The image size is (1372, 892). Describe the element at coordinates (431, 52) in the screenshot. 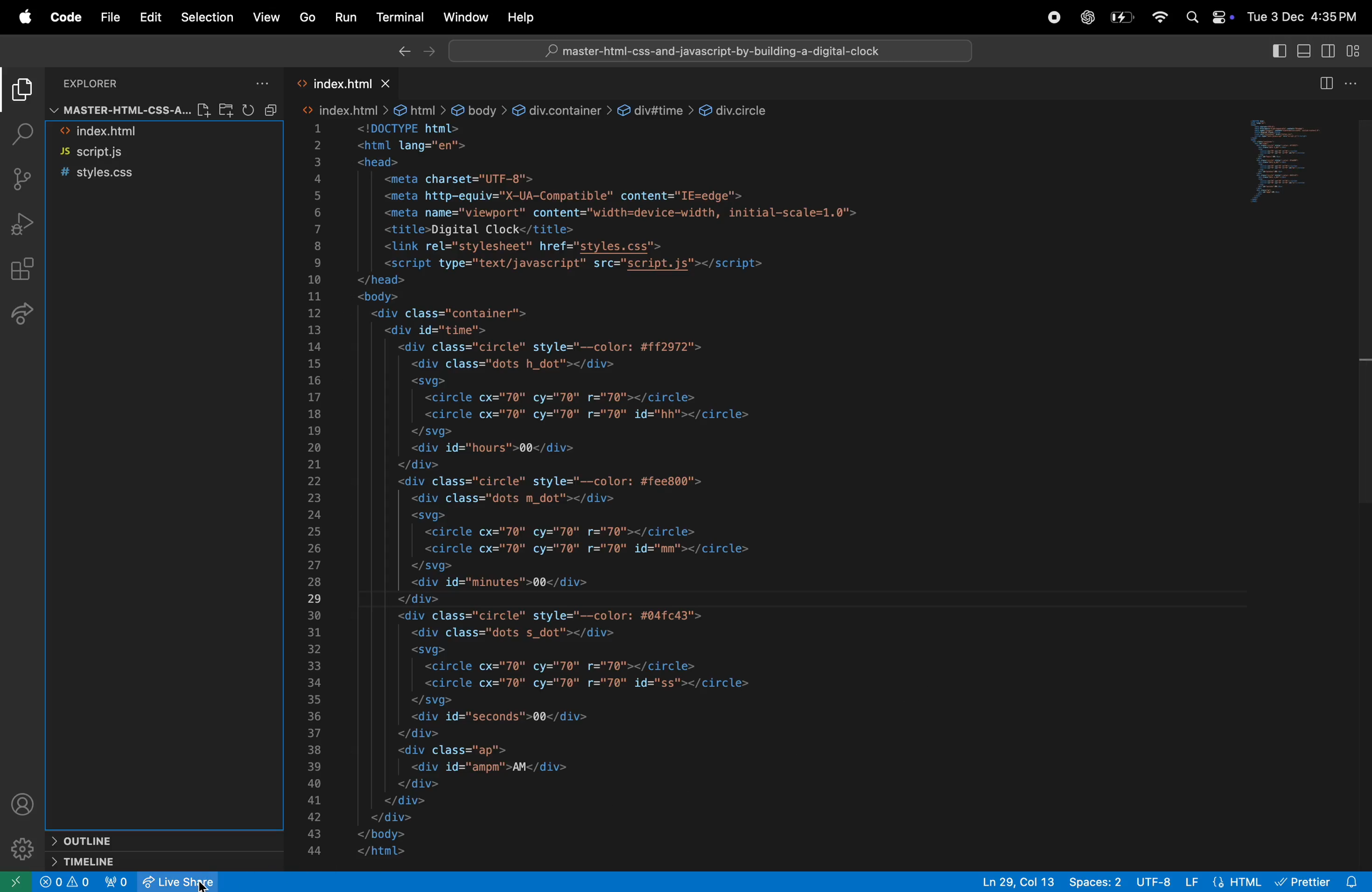

I see `forward` at that location.